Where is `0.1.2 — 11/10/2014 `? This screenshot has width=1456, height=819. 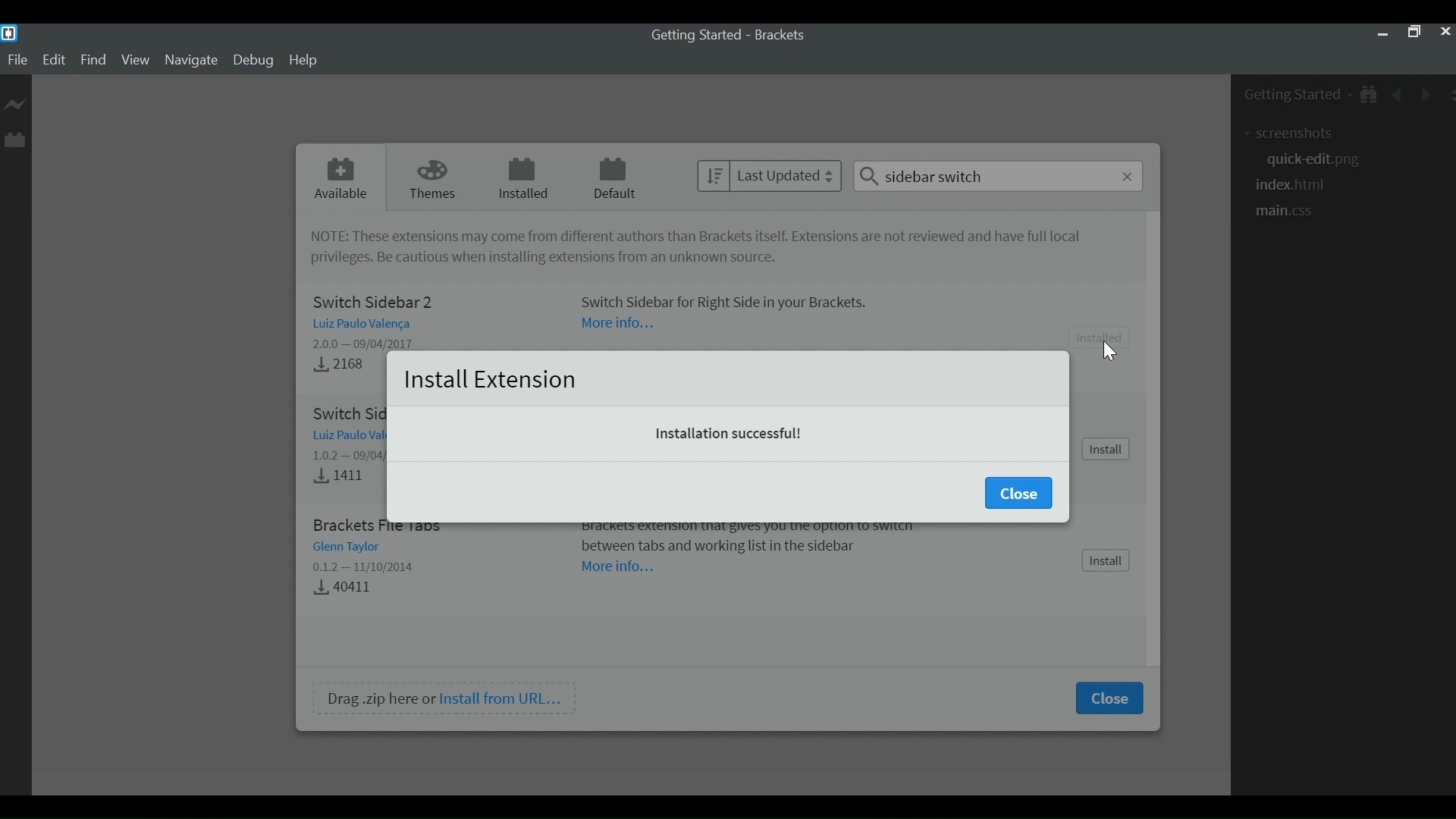
0.1.2 — 11/10/2014  is located at coordinates (362, 568).